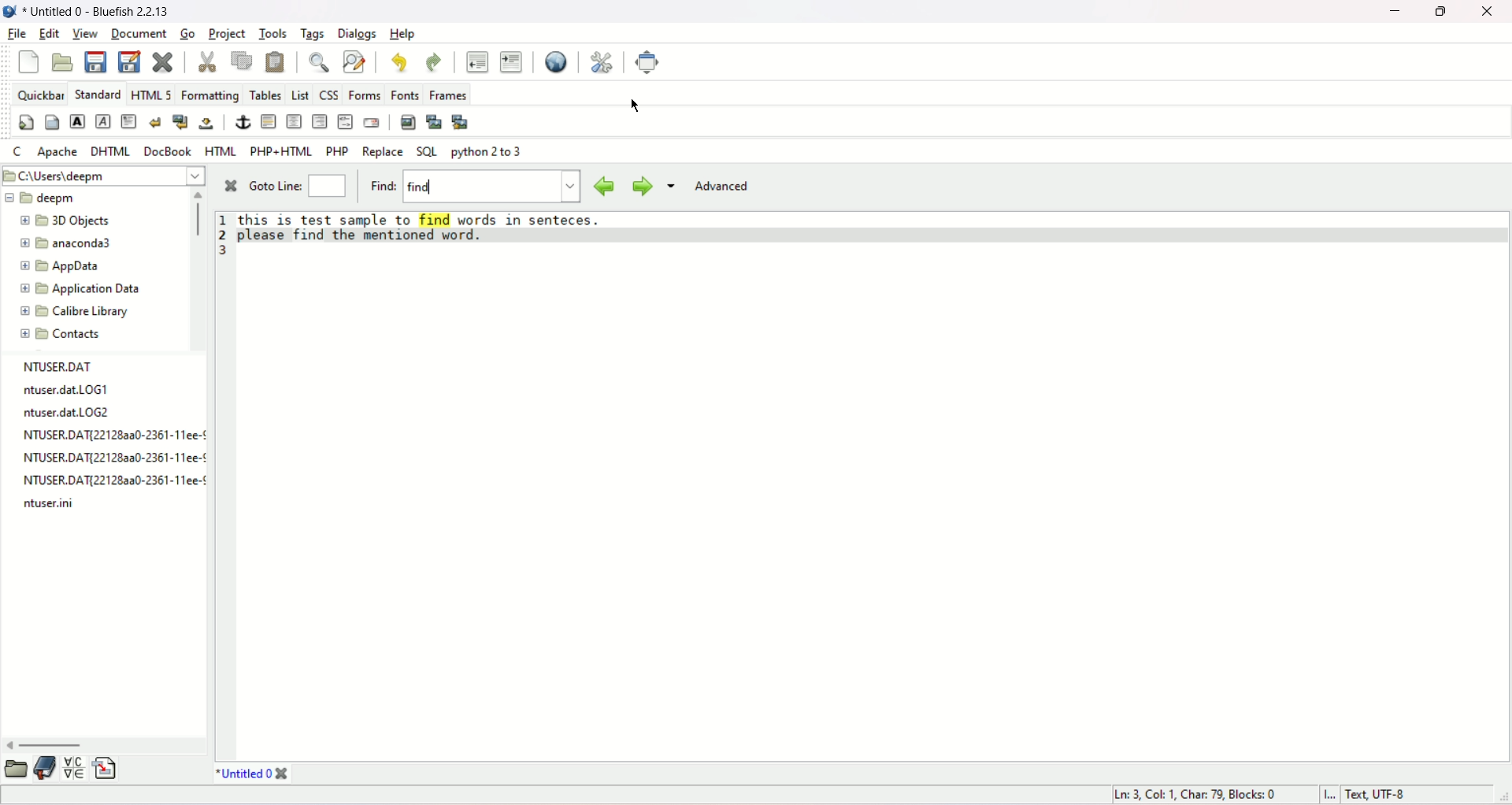 The width and height of the screenshot is (1512, 805). I want to click on SQL, so click(428, 150).